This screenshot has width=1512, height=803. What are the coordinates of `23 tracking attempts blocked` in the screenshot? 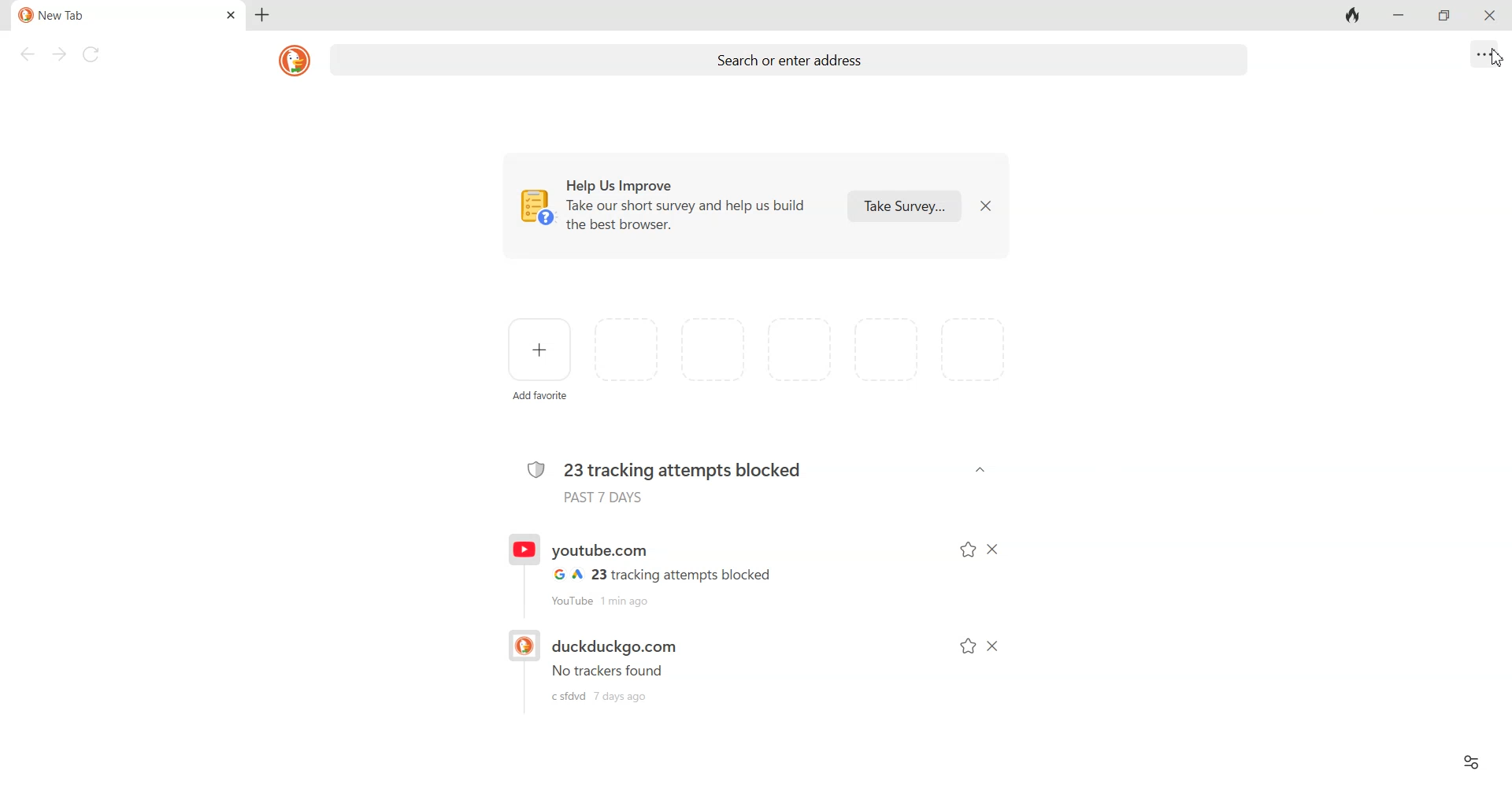 It's located at (665, 478).